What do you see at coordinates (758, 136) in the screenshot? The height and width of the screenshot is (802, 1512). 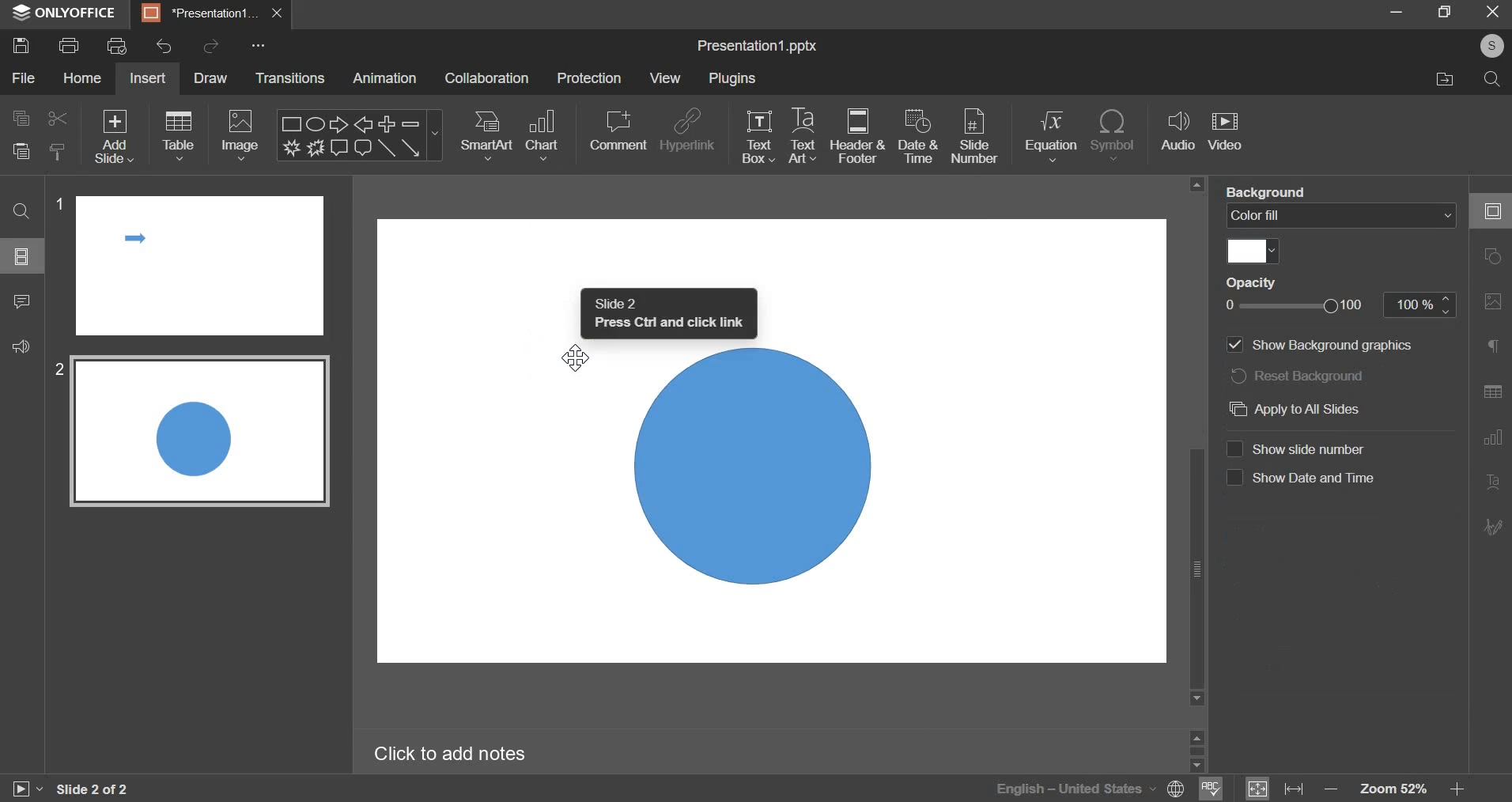 I see `text box` at bounding box center [758, 136].